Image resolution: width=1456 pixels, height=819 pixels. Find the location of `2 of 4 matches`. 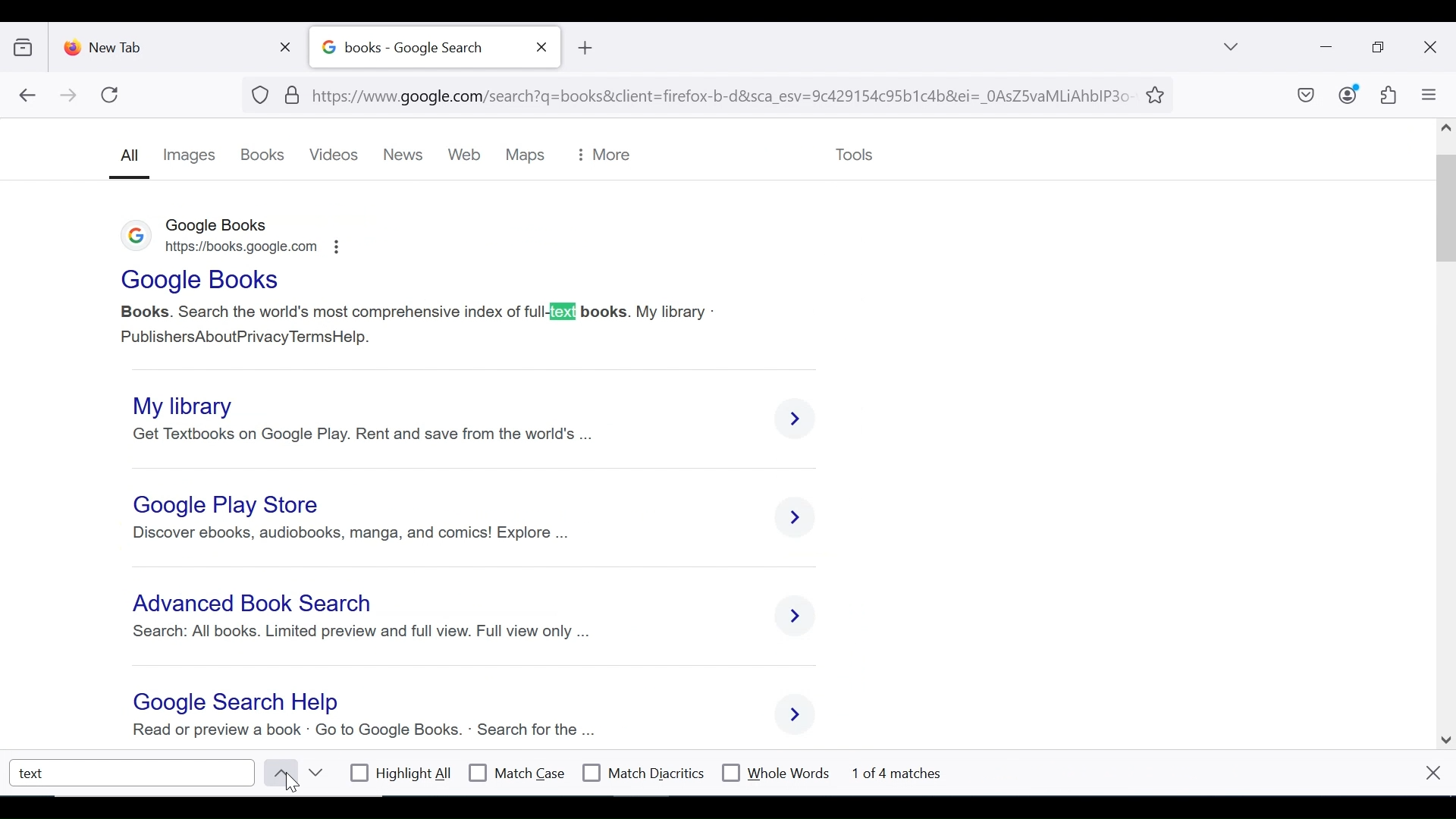

2 of 4 matches is located at coordinates (910, 771).